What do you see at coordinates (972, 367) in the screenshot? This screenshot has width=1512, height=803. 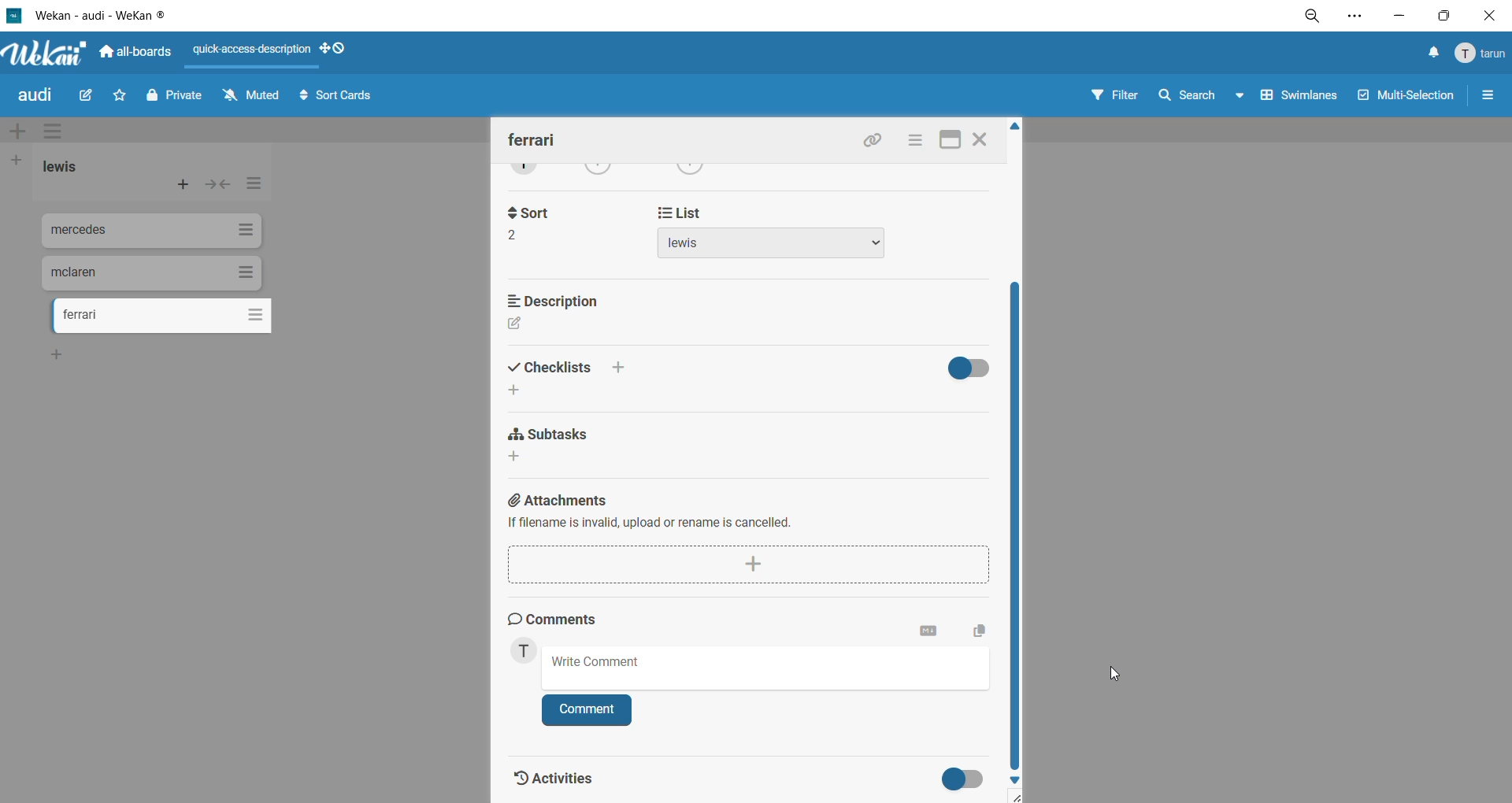 I see `hide completed checklists` at bounding box center [972, 367].